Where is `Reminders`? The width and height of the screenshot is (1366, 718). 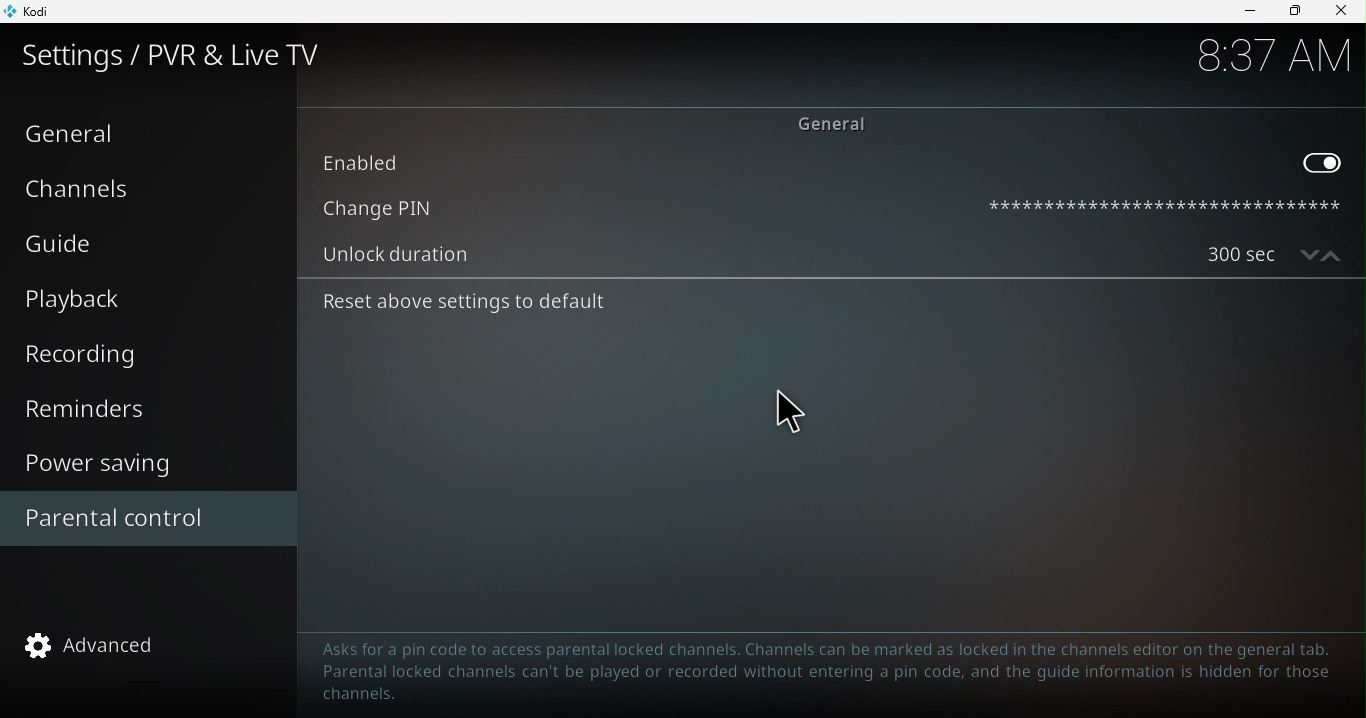
Reminders is located at coordinates (152, 412).